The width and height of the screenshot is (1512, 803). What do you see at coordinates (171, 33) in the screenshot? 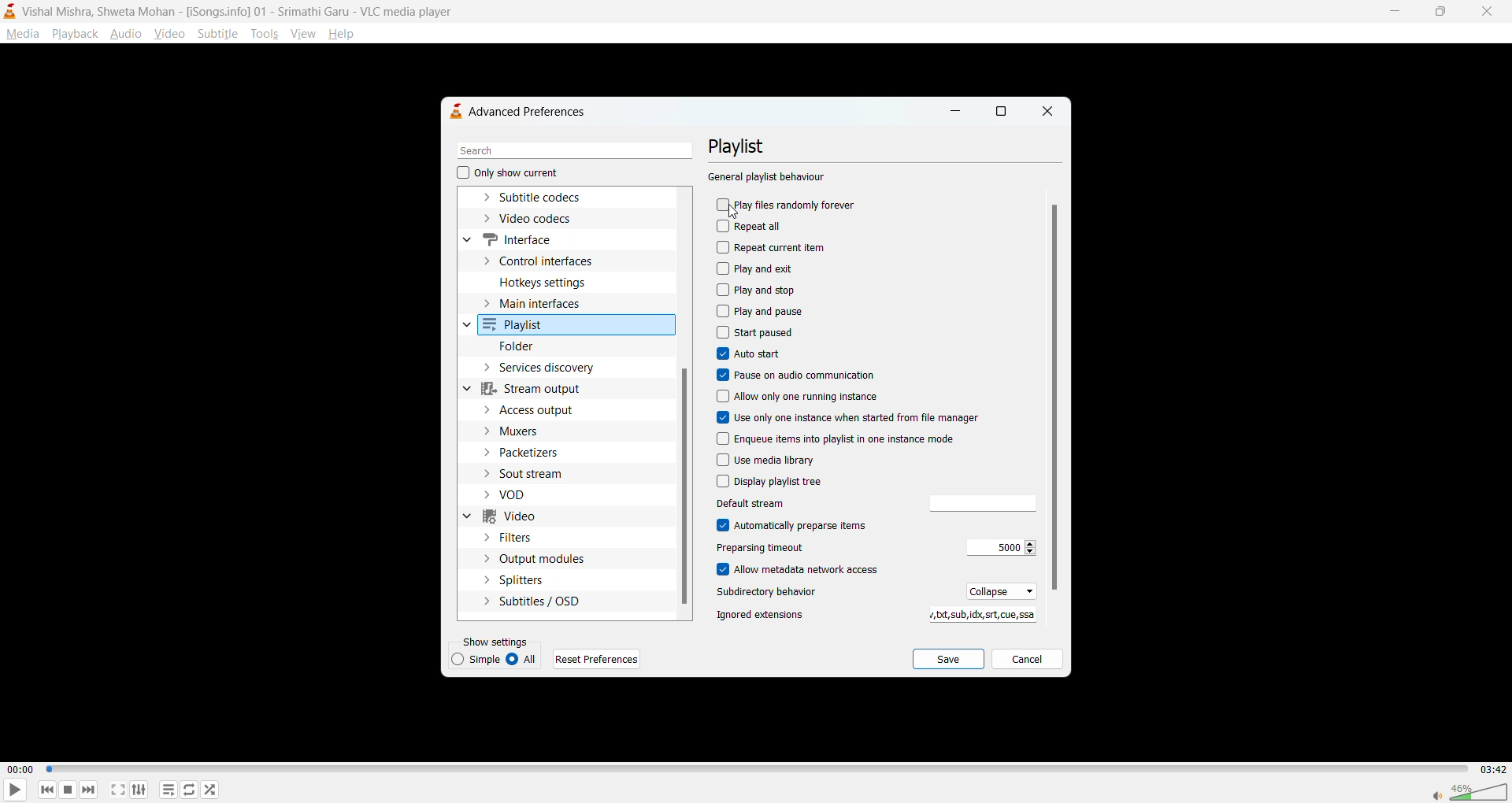
I see `video` at bounding box center [171, 33].